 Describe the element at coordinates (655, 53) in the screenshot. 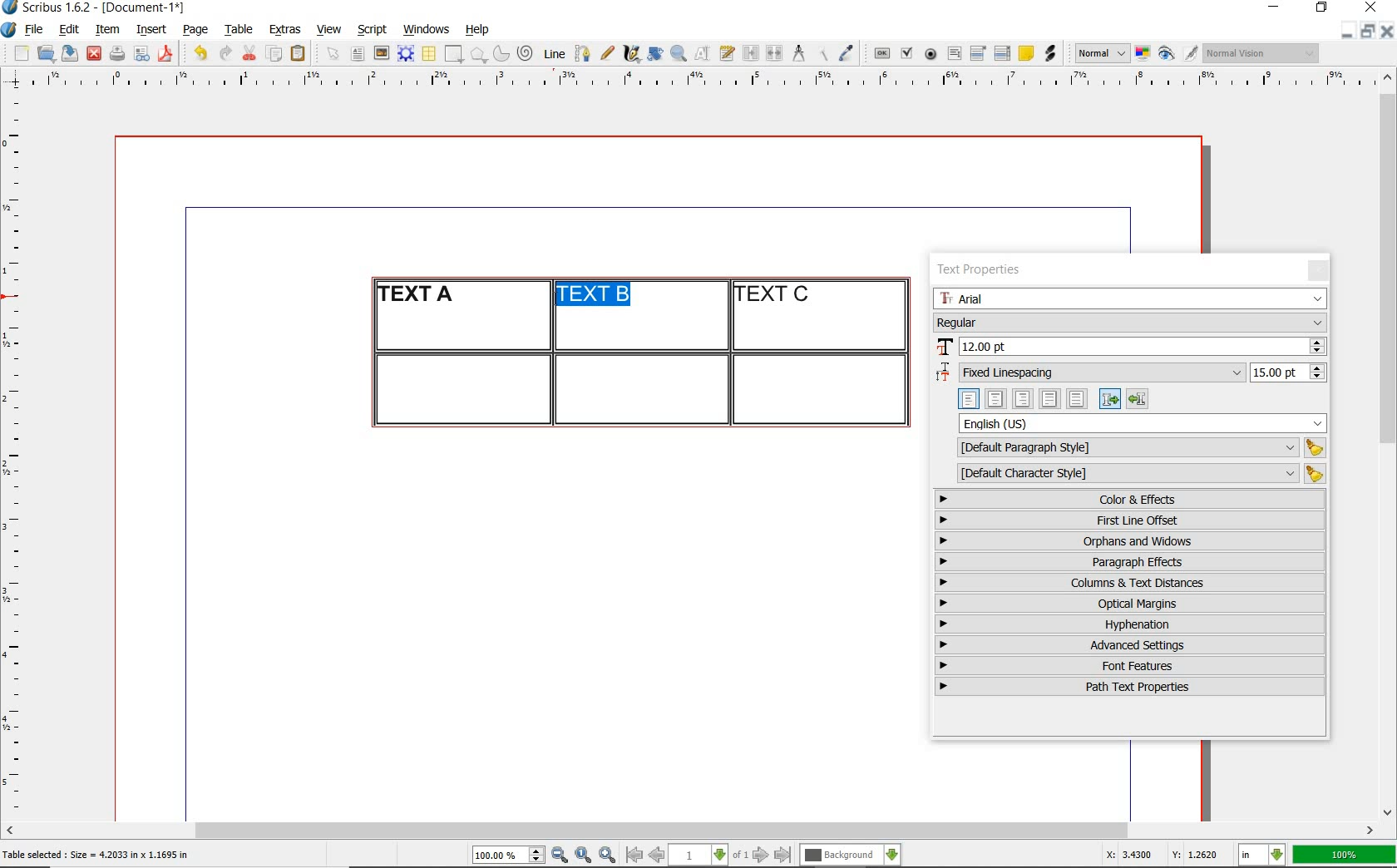

I see `rotate item` at that location.